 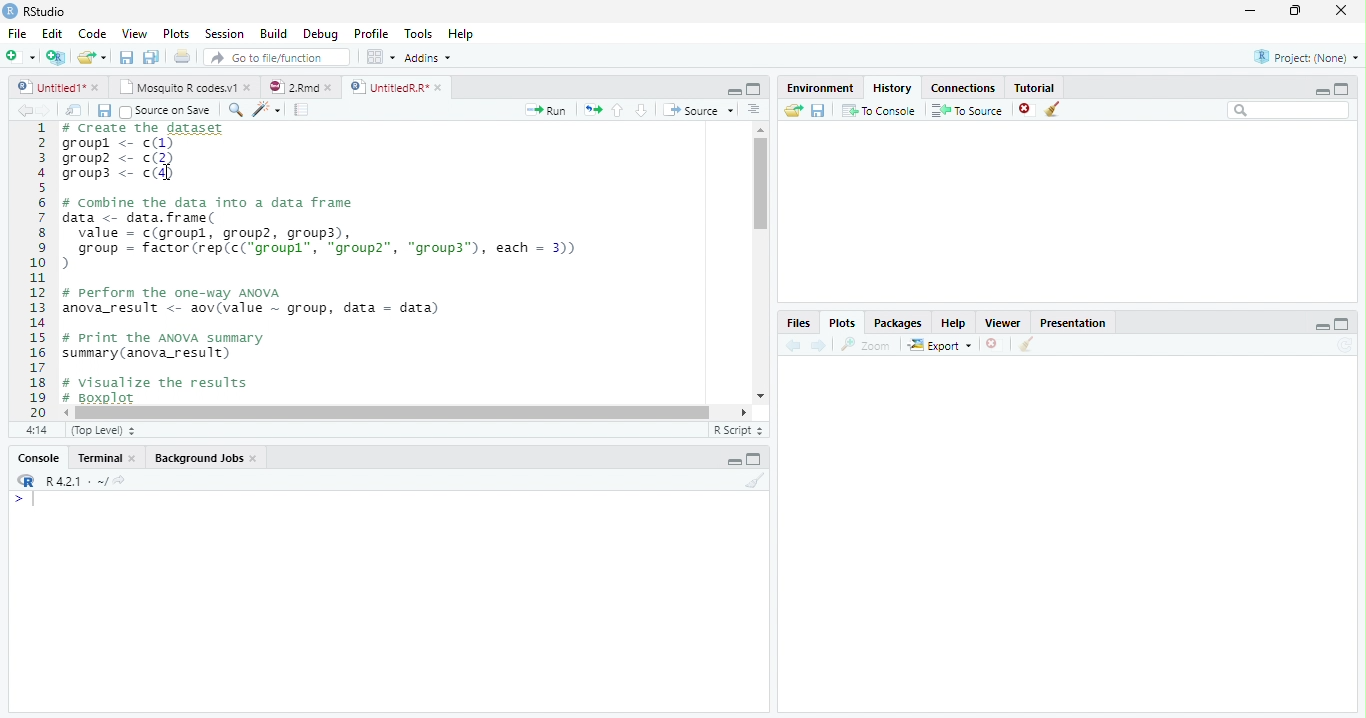 What do you see at coordinates (617, 109) in the screenshot?
I see `Go to previous section` at bounding box center [617, 109].